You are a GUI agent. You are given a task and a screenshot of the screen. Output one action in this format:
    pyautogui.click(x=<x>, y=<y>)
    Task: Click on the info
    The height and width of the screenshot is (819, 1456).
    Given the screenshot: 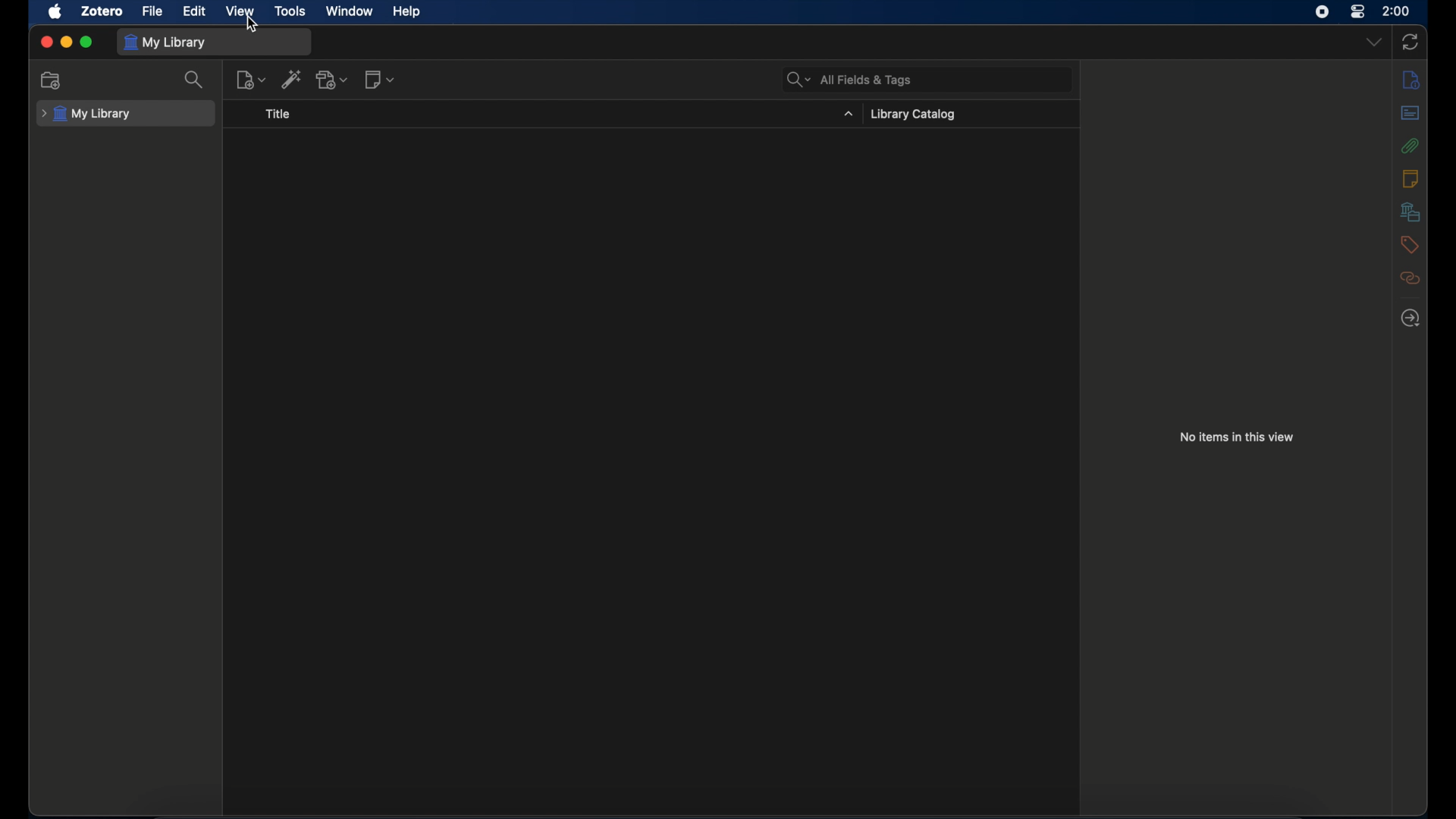 What is the action you would take?
    pyautogui.click(x=1410, y=80)
    